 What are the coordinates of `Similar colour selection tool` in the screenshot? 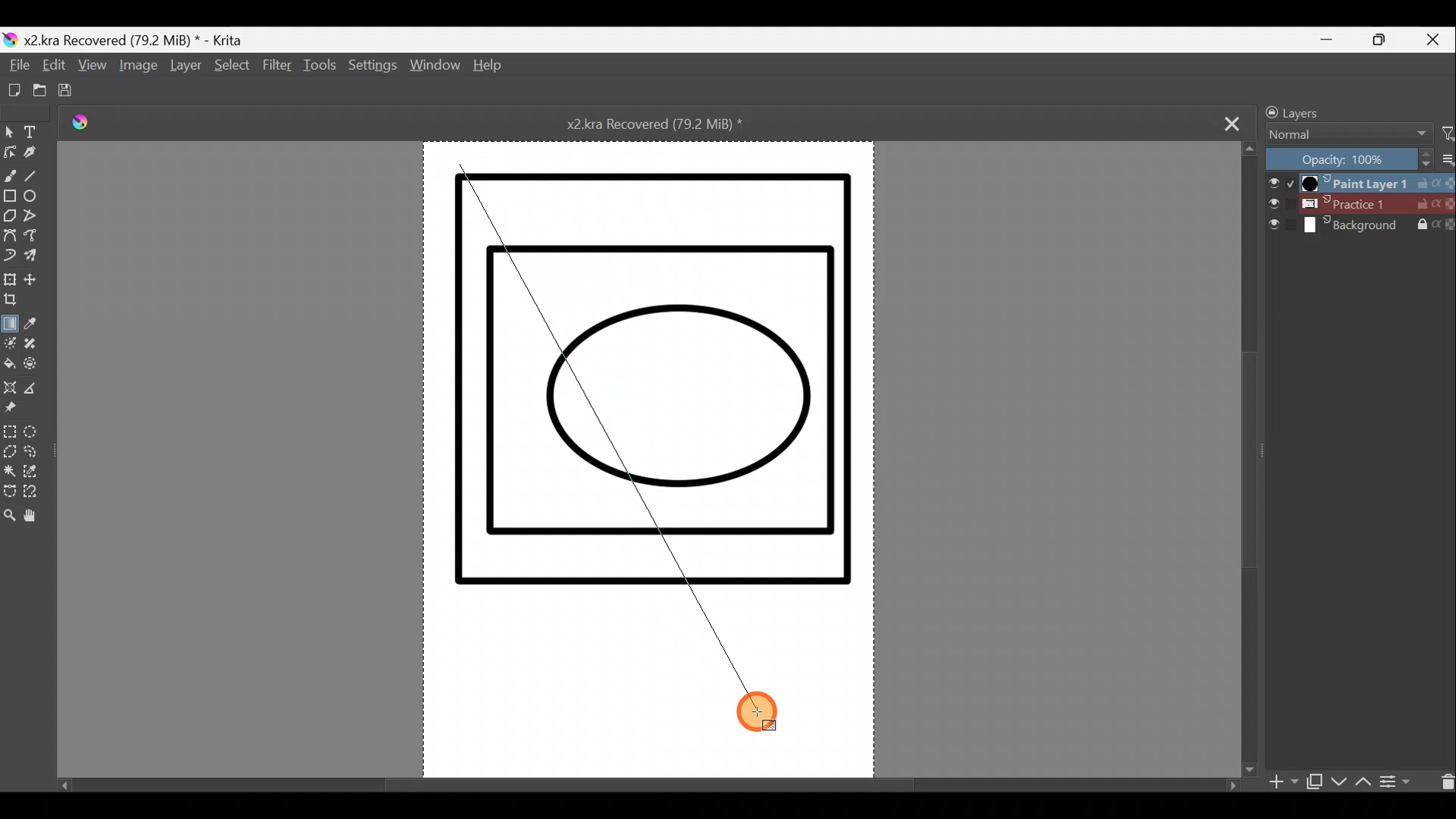 It's located at (34, 475).